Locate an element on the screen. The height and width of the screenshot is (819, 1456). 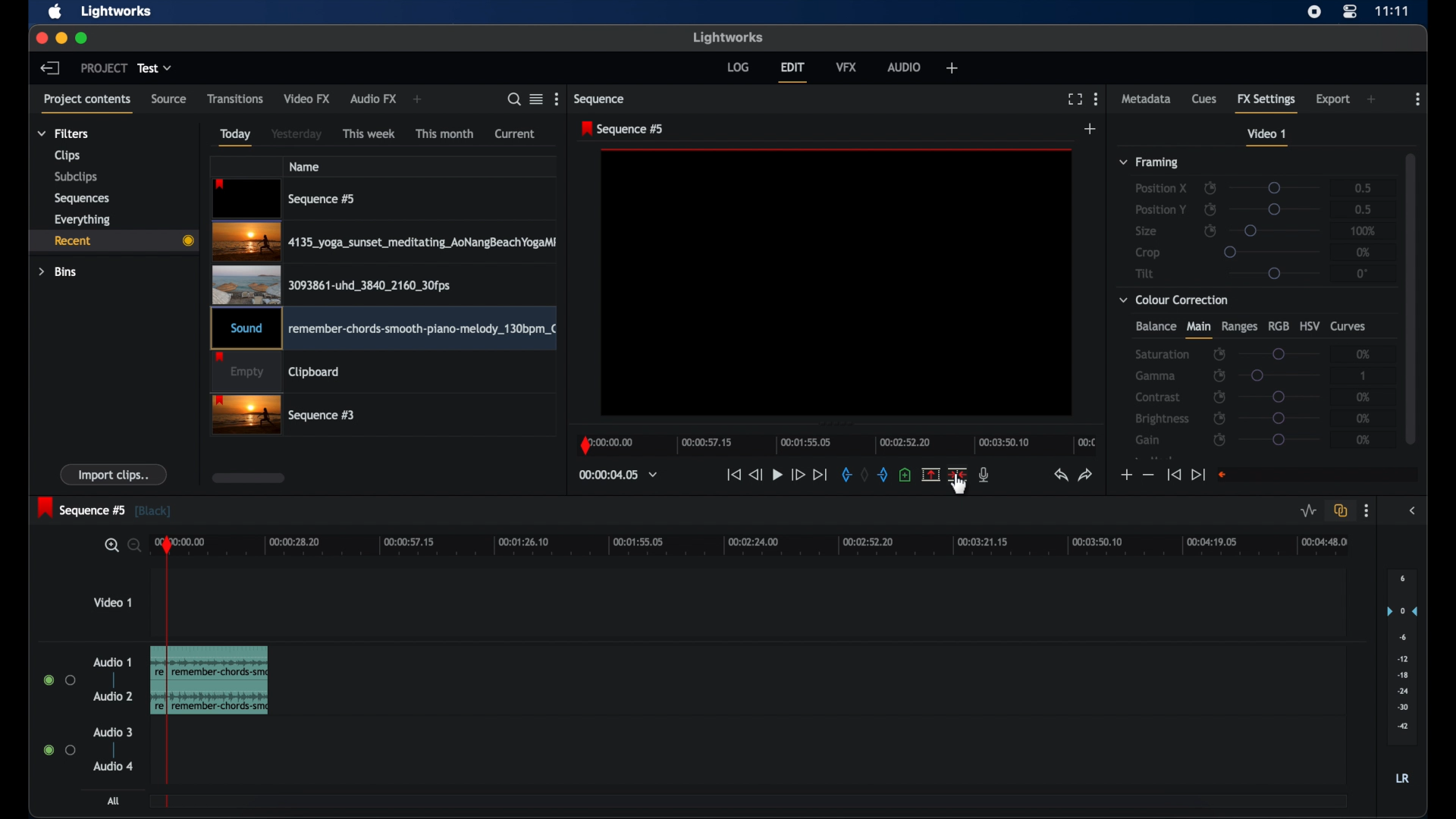
balance is located at coordinates (1155, 326).